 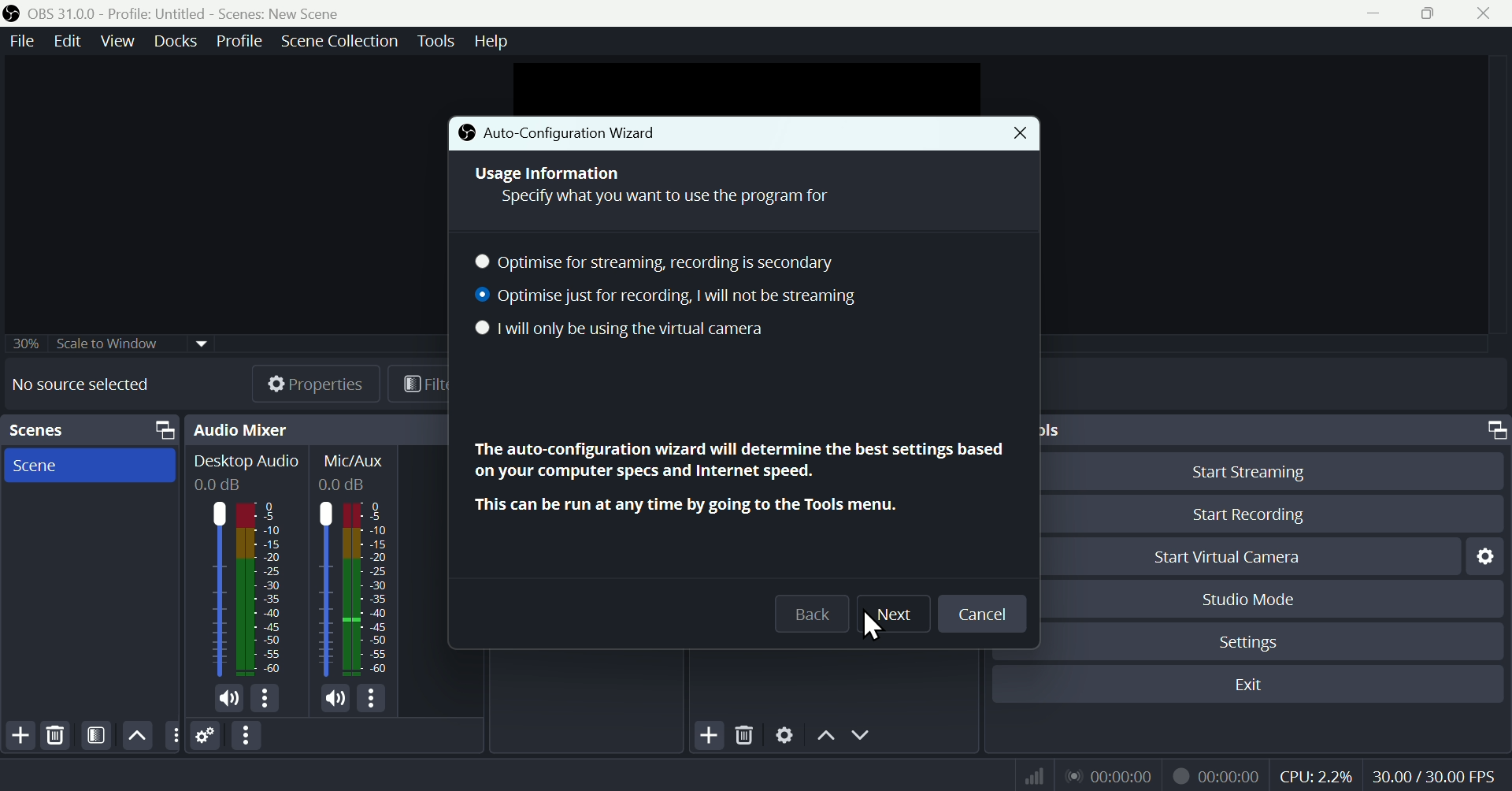 I want to click on Mic/Aux, so click(x=356, y=565).